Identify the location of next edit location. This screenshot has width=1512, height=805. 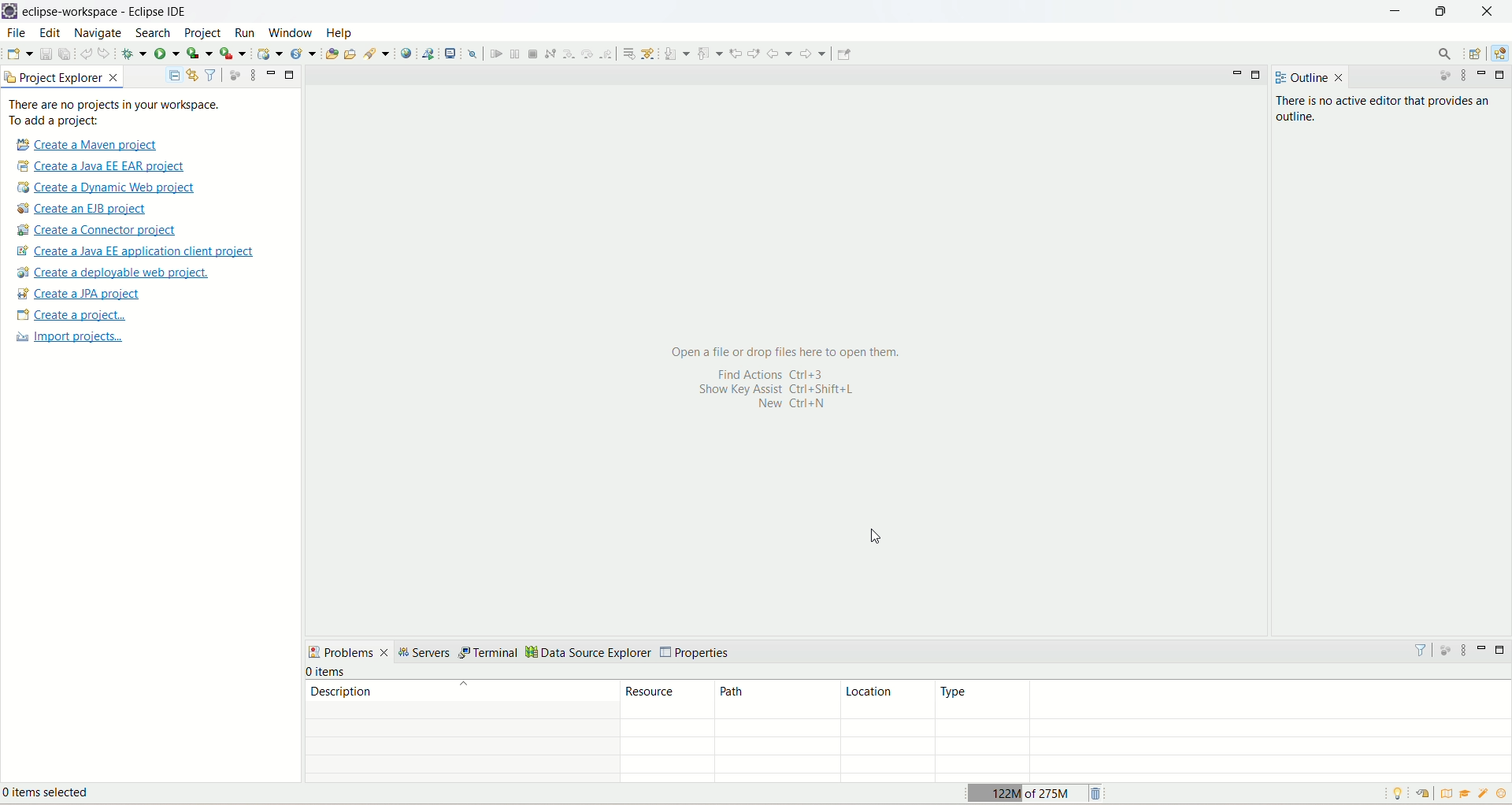
(754, 51).